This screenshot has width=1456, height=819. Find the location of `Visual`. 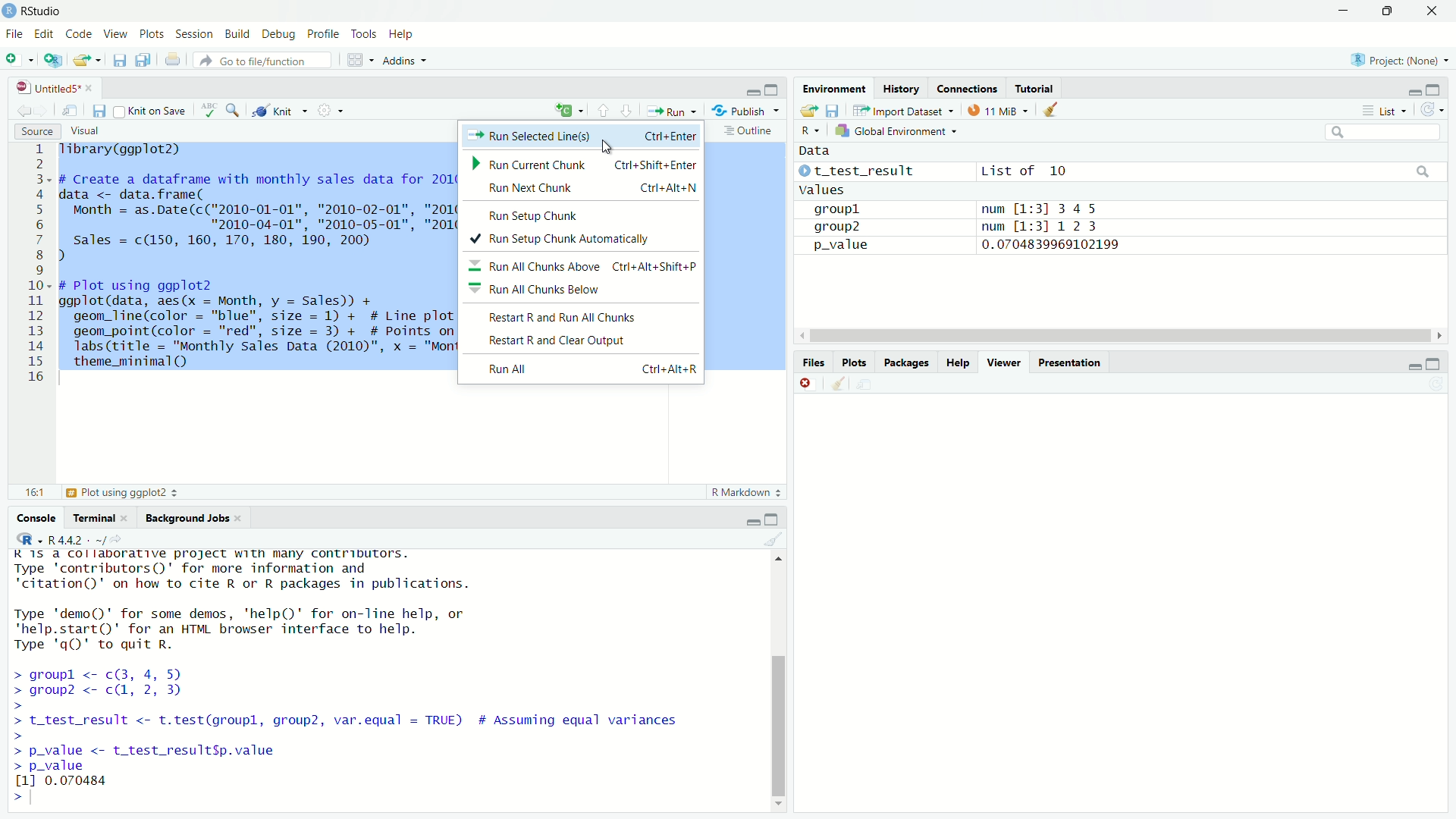

Visual is located at coordinates (86, 130).